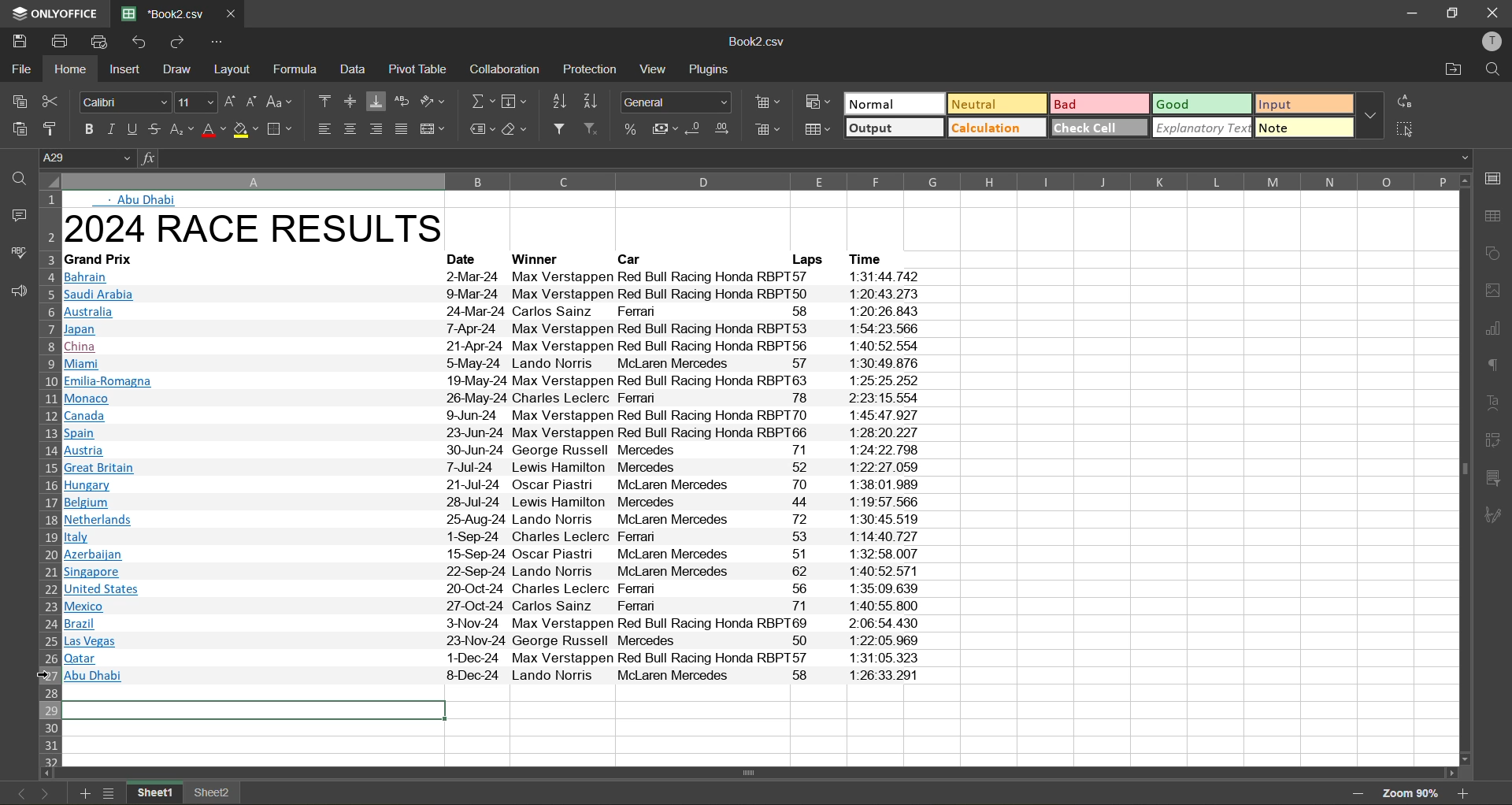 The height and width of the screenshot is (805, 1512). I want to click on text info, so click(492, 588).